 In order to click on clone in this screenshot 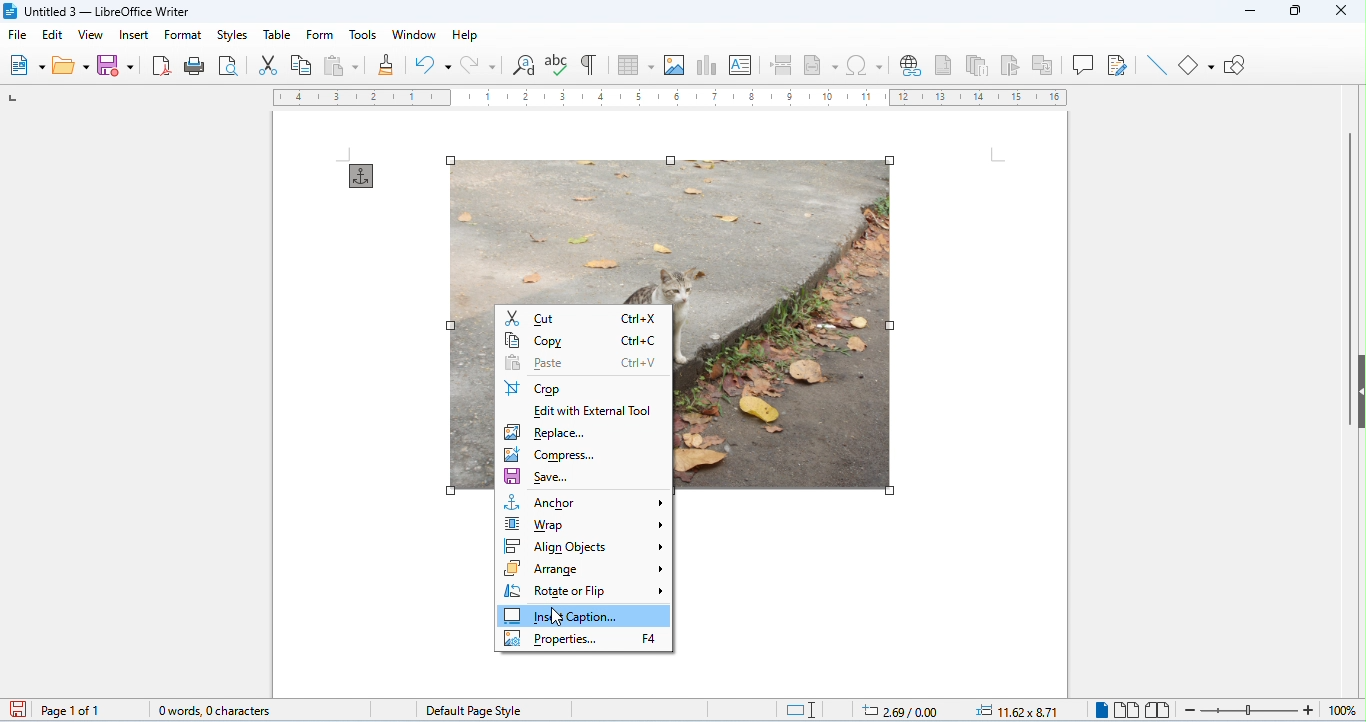, I will do `click(388, 64)`.